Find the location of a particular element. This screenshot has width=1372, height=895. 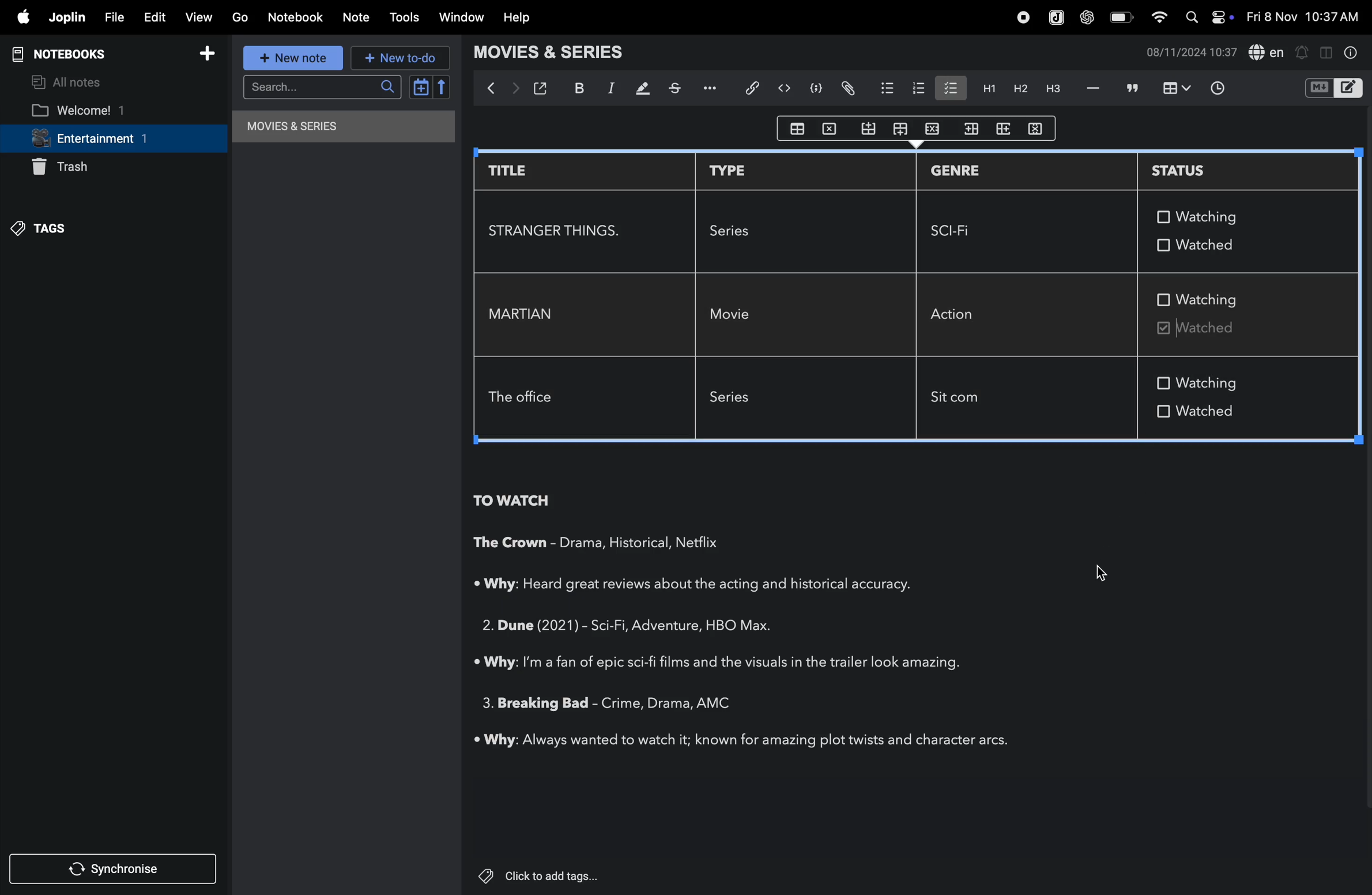

notebook is located at coordinates (296, 18).